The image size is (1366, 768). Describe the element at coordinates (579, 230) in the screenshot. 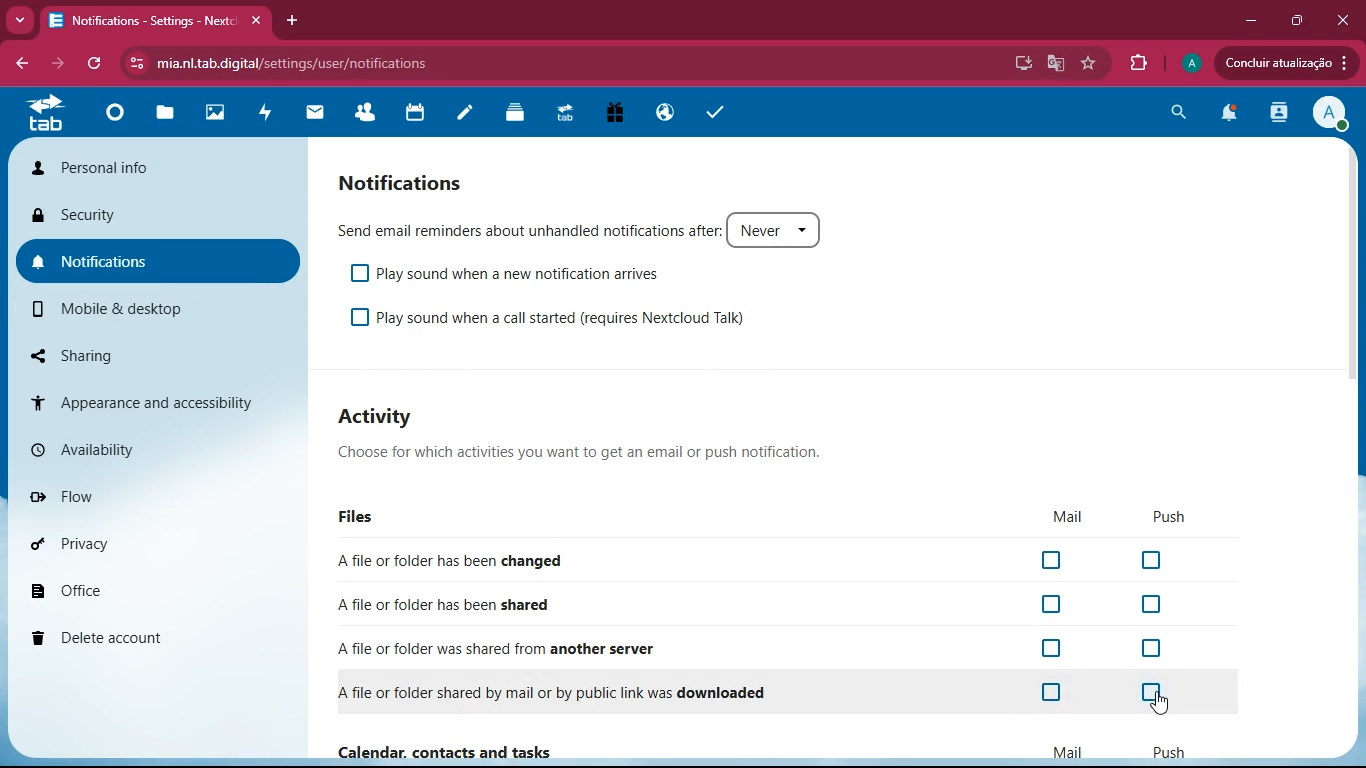

I see `Send email reminders about unhandled notifications after: Never ` at that location.